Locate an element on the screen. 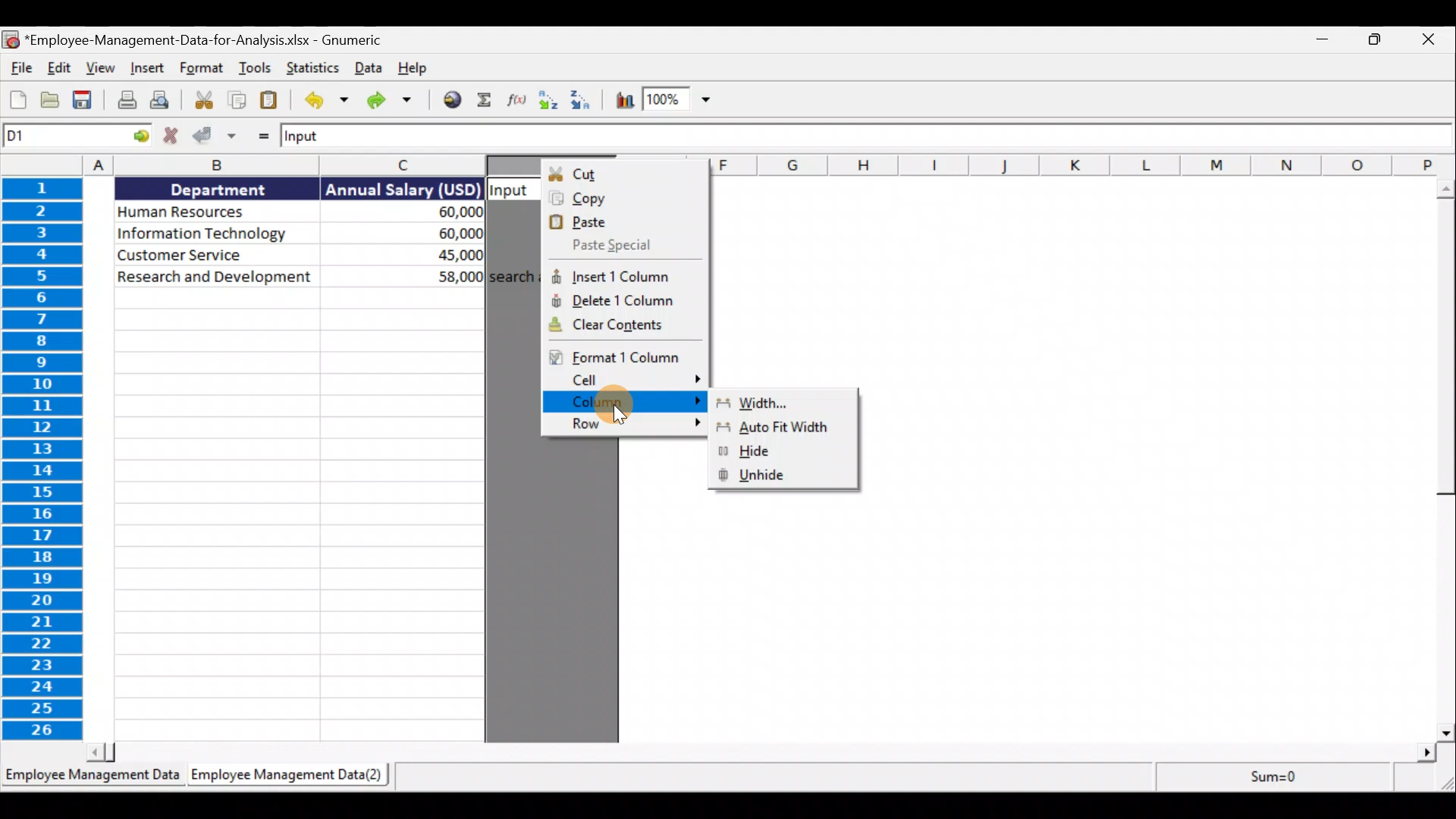 The height and width of the screenshot is (819, 1456). Paste special is located at coordinates (623, 246).